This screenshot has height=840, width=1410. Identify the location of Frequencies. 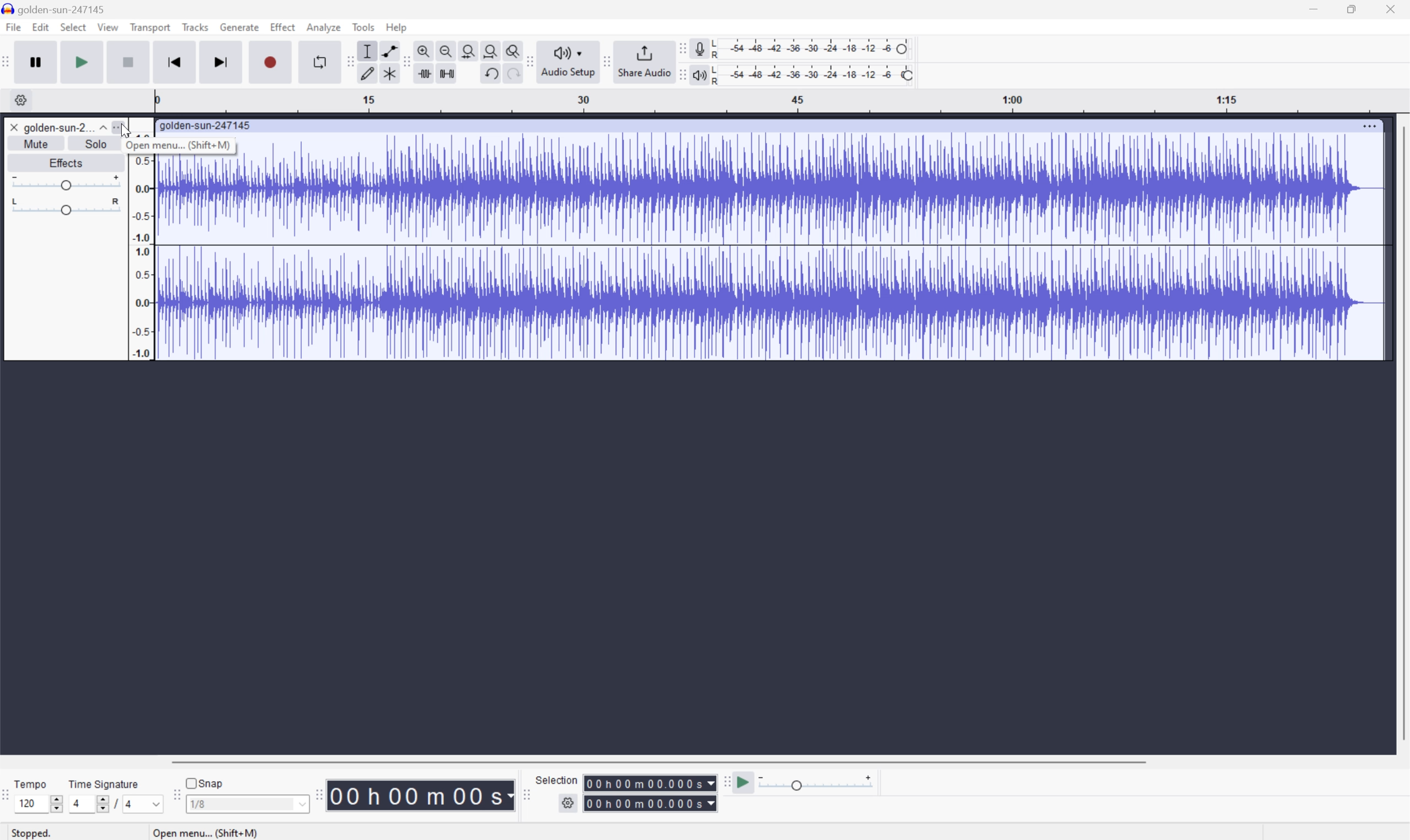
(144, 257).